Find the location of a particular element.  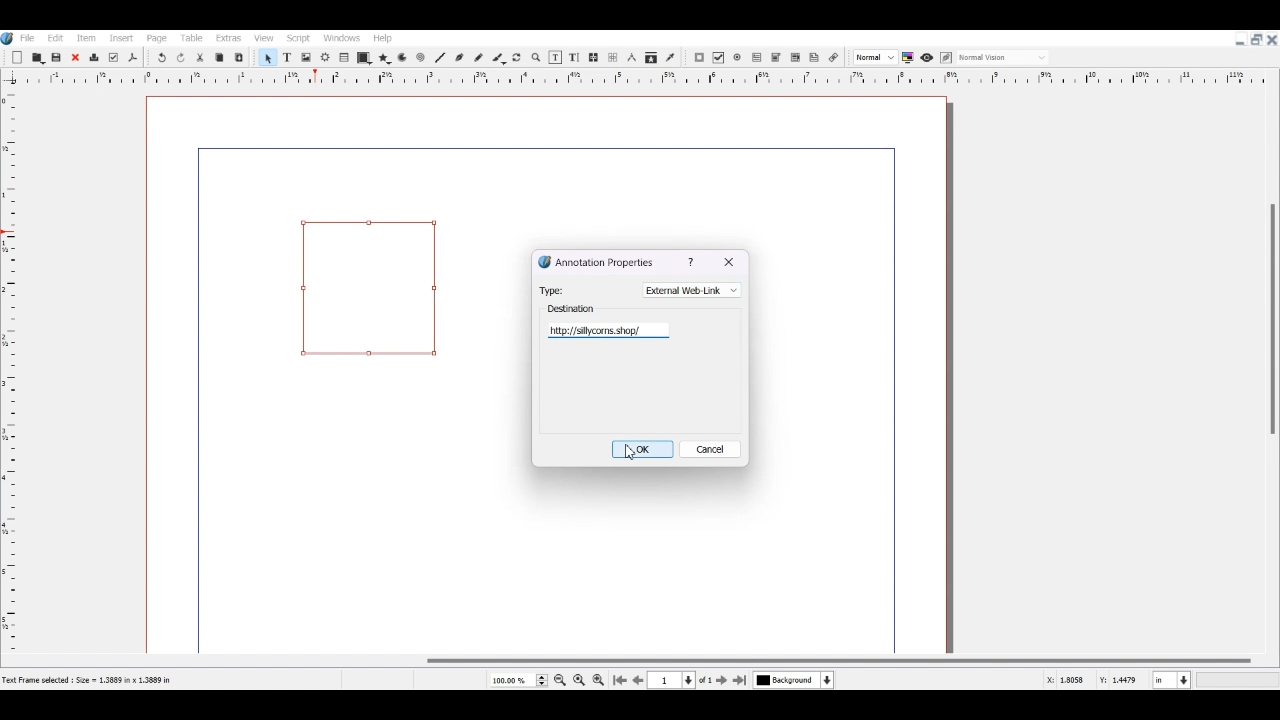

Text is located at coordinates (603, 331).